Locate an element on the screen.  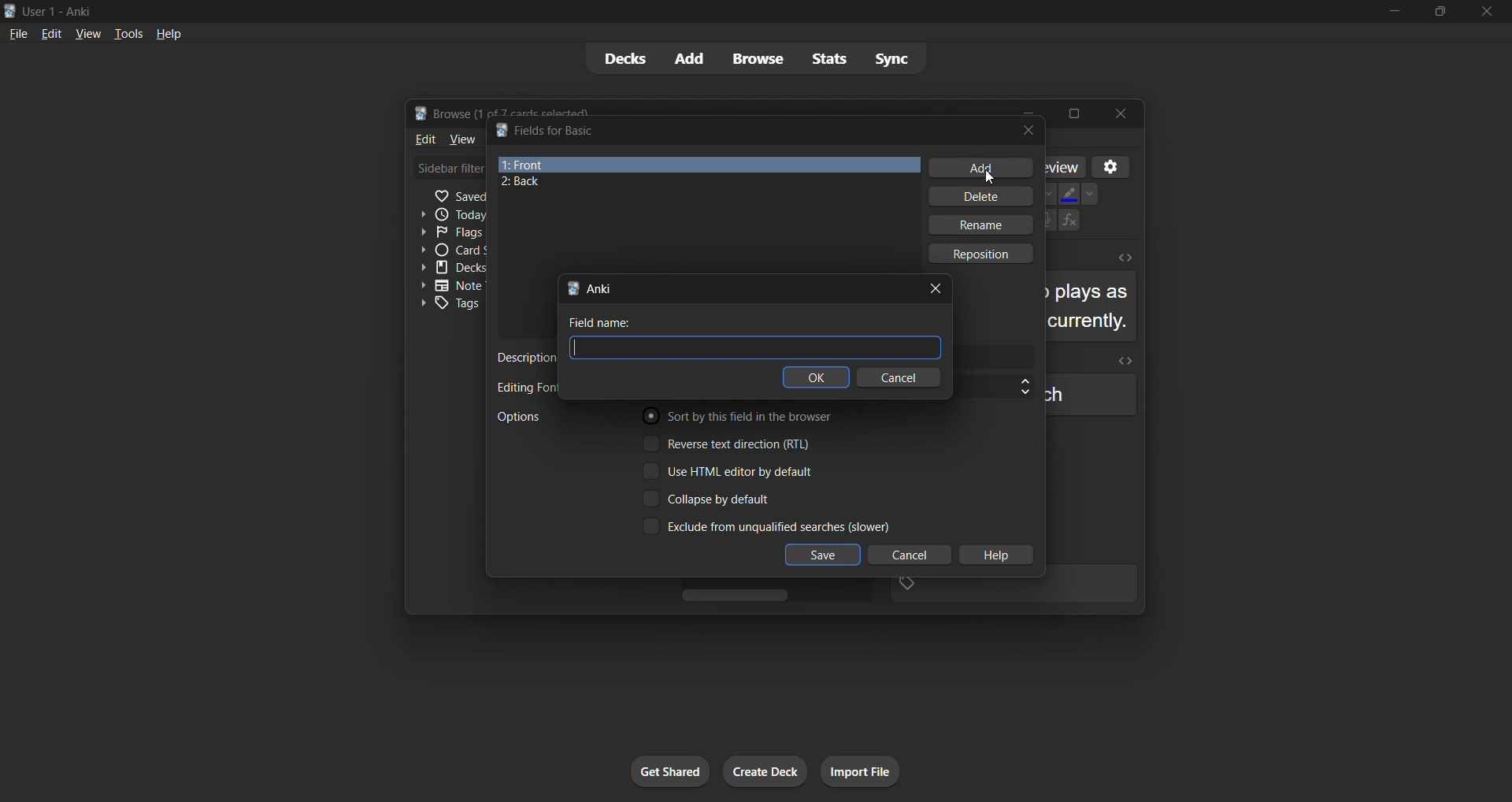
Maximize is located at coordinates (1077, 112).